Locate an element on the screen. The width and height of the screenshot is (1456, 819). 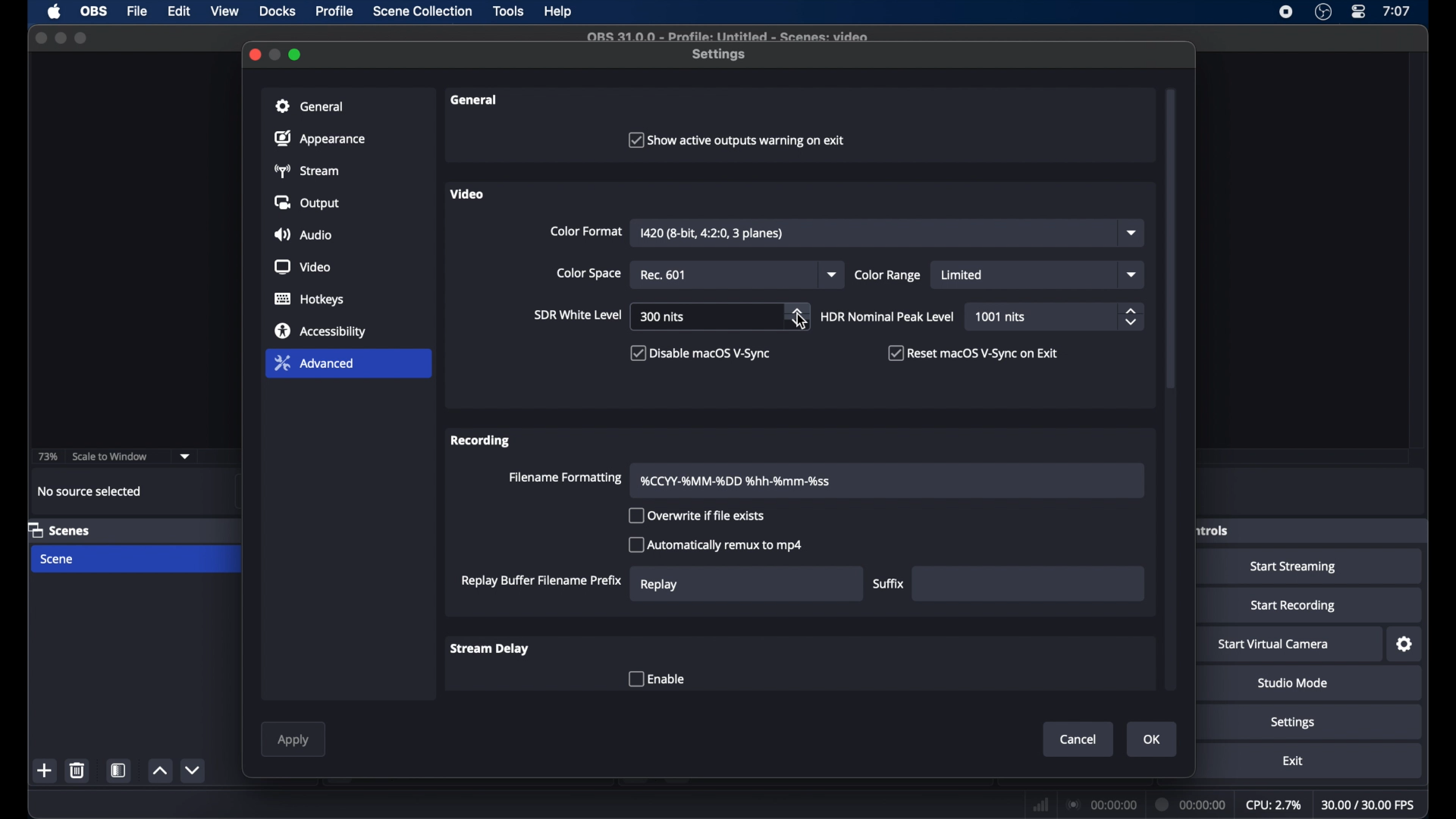
settings is located at coordinates (1405, 645).